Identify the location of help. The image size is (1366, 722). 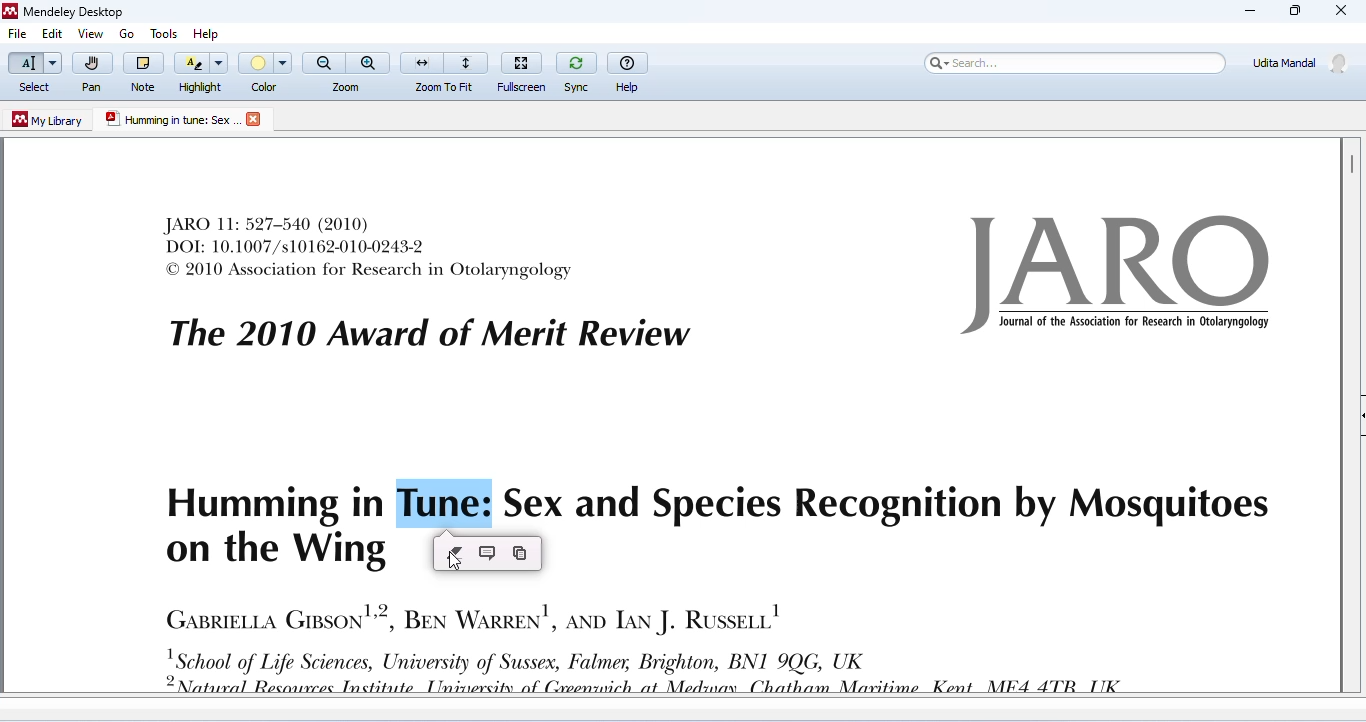
(211, 30).